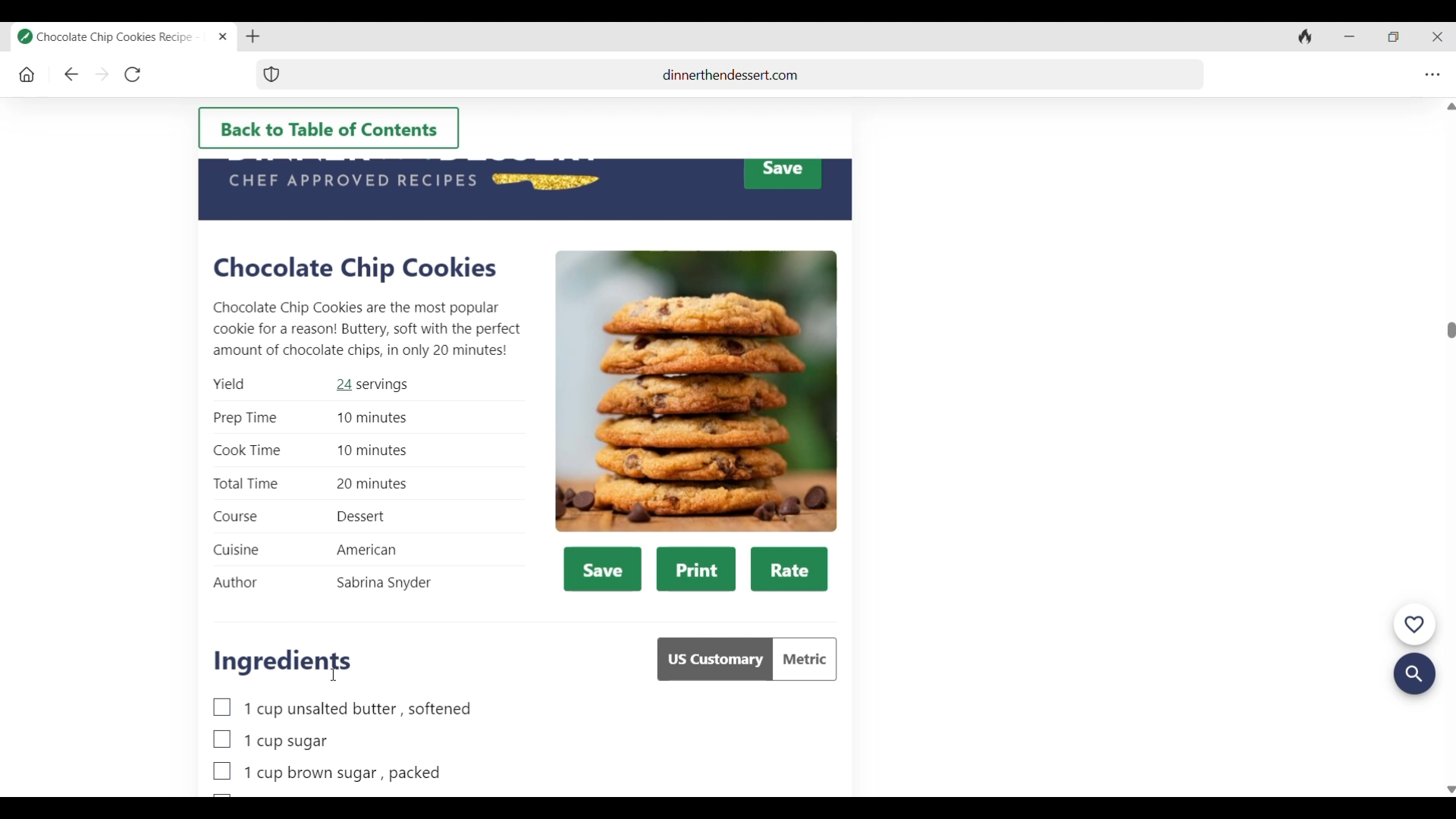 This screenshot has width=1456, height=819. Describe the element at coordinates (805, 659) in the screenshot. I see `Metric` at that location.